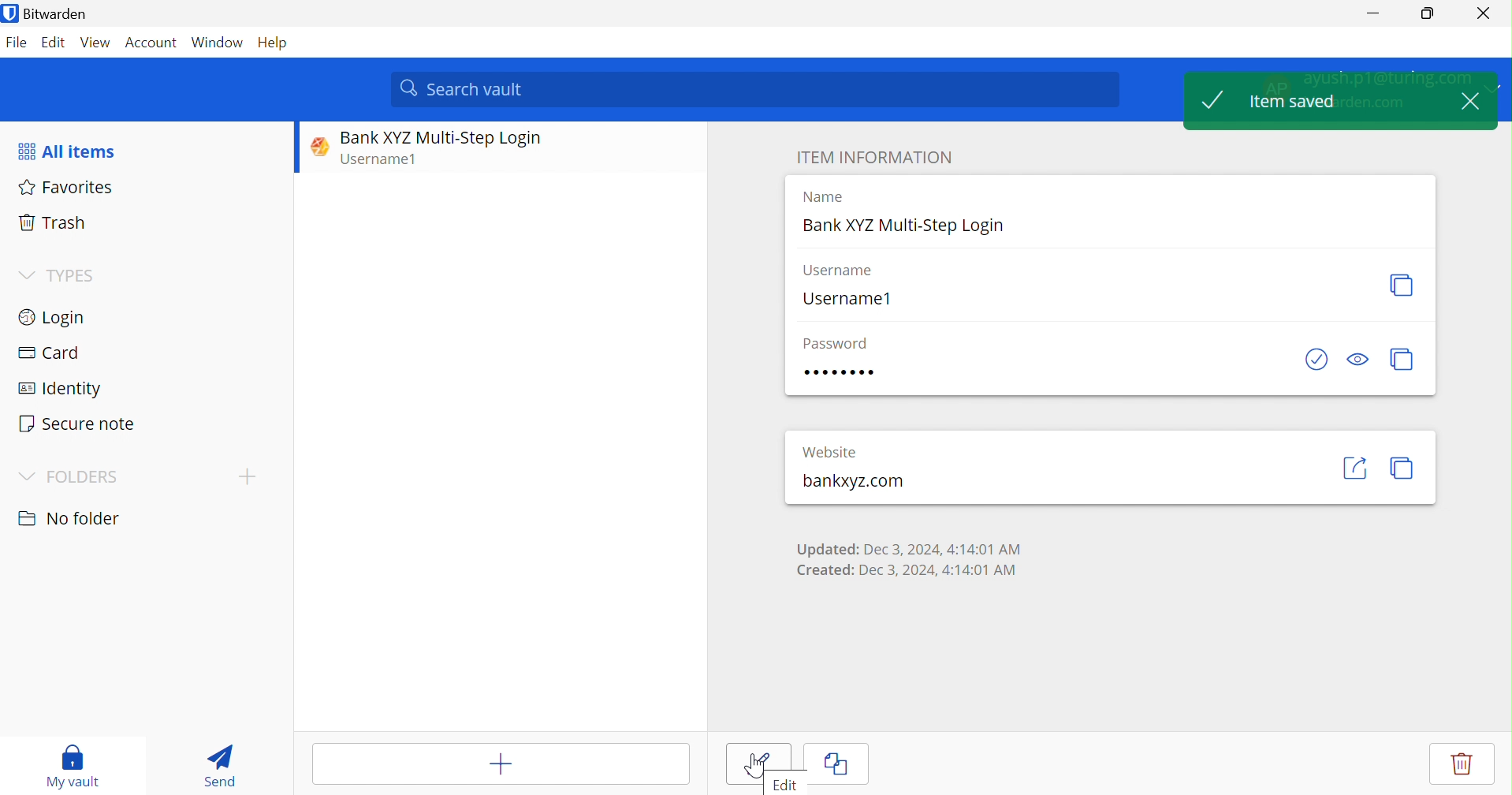  Describe the element at coordinates (840, 300) in the screenshot. I see `Username1` at that location.